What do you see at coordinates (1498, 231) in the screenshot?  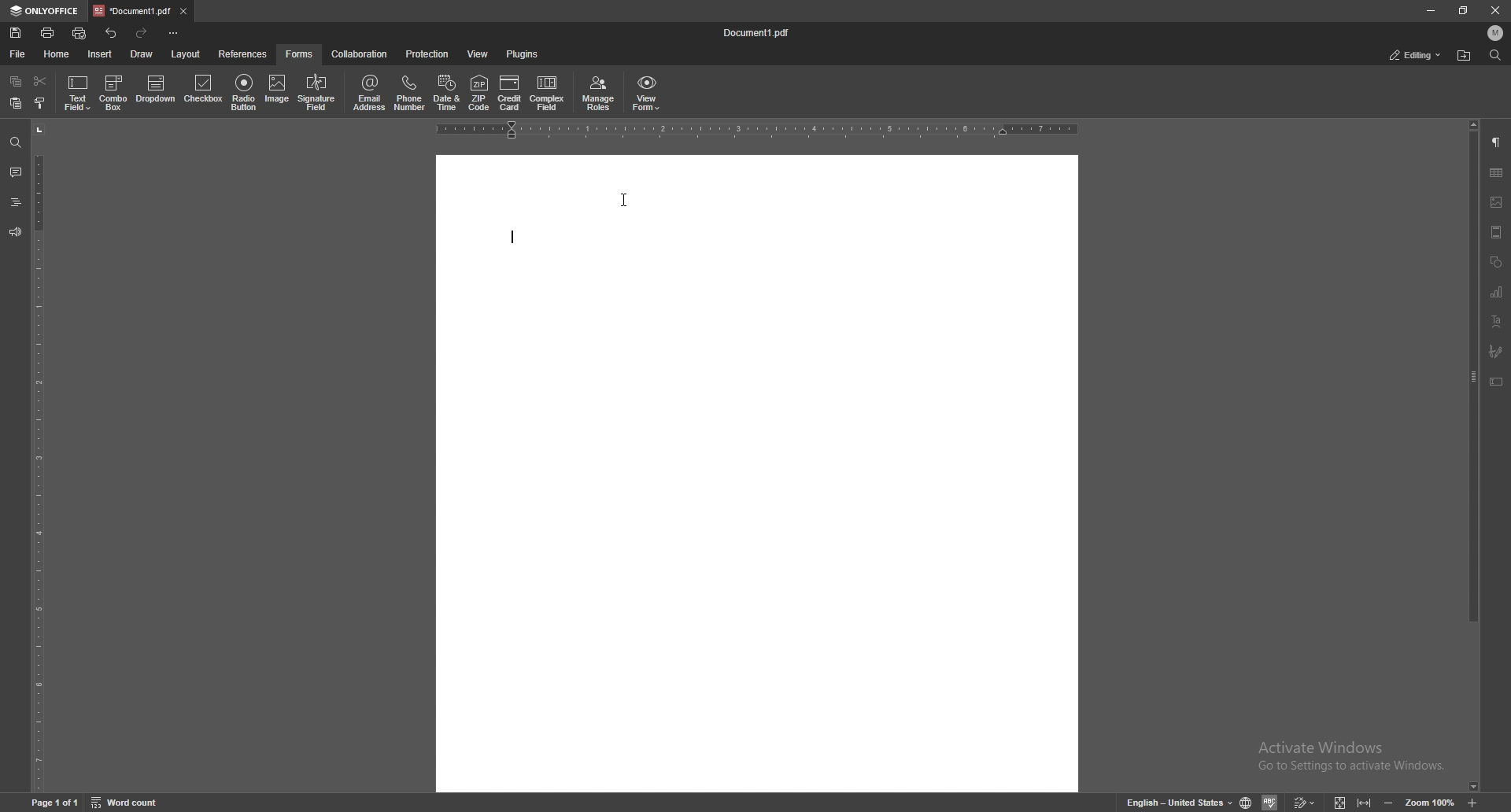 I see `header and footer` at bounding box center [1498, 231].